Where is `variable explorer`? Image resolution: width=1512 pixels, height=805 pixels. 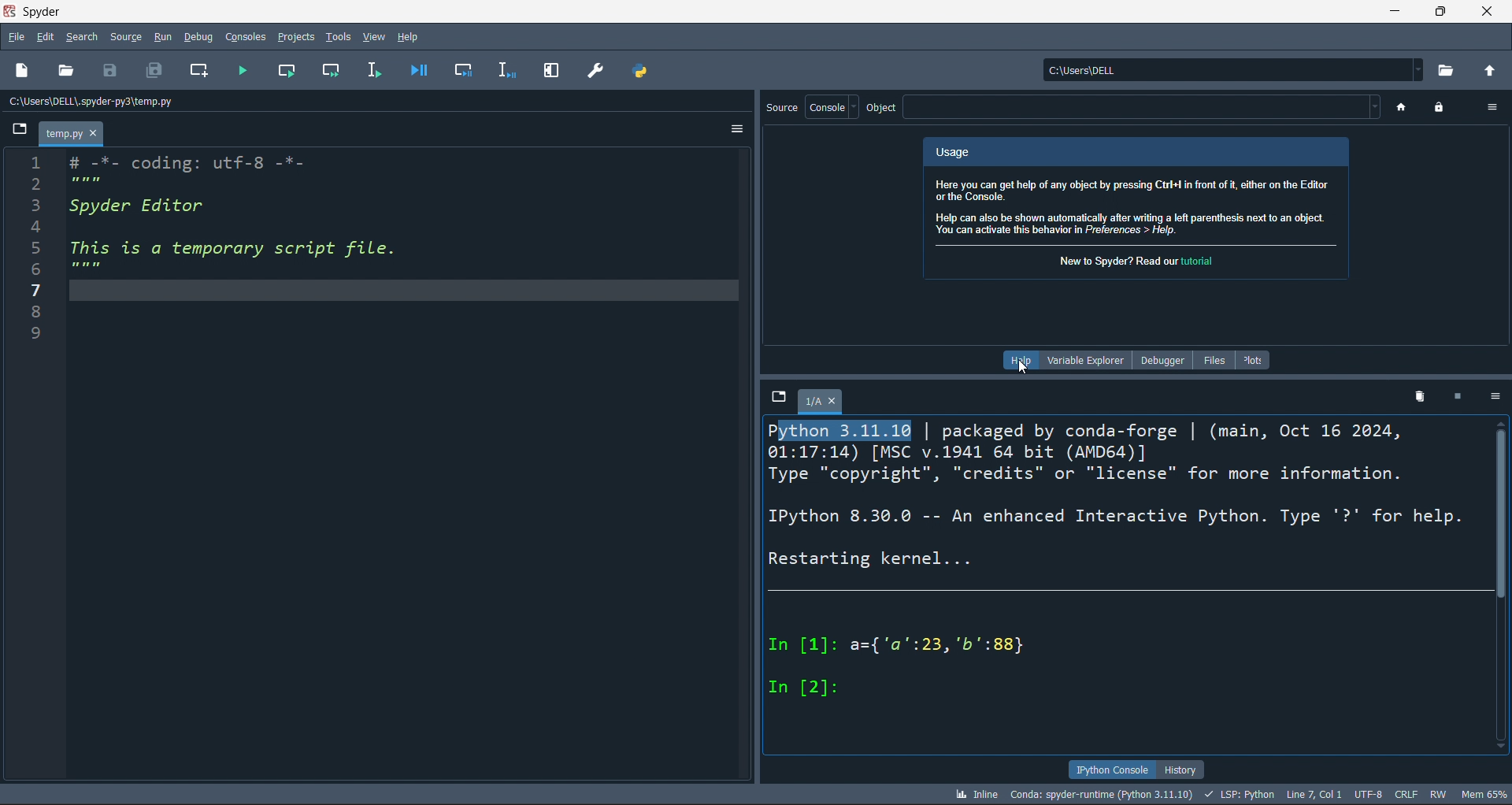 variable explorer is located at coordinates (1084, 360).